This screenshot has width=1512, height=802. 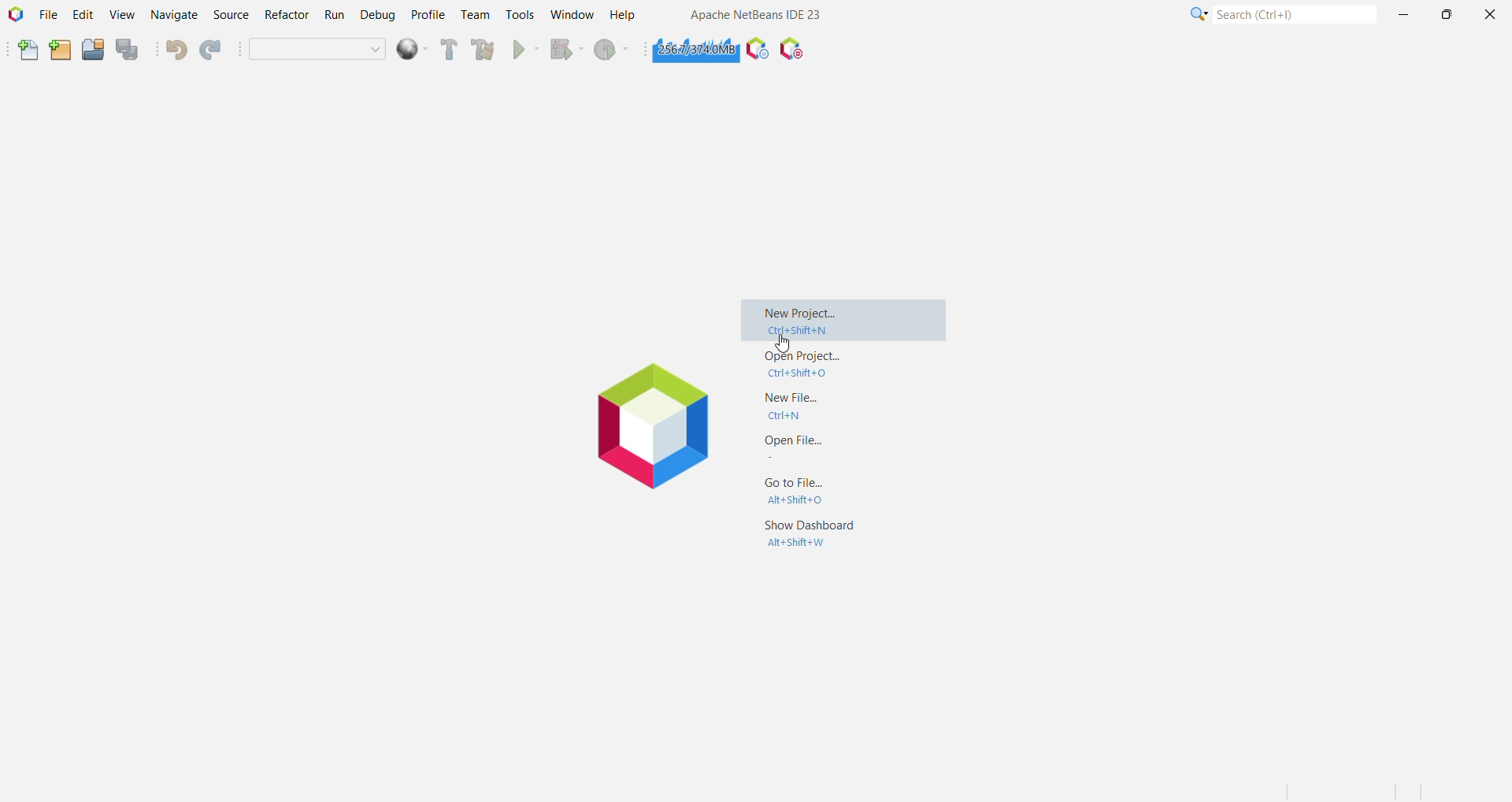 I want to click on File, so click(x=49, y=16).